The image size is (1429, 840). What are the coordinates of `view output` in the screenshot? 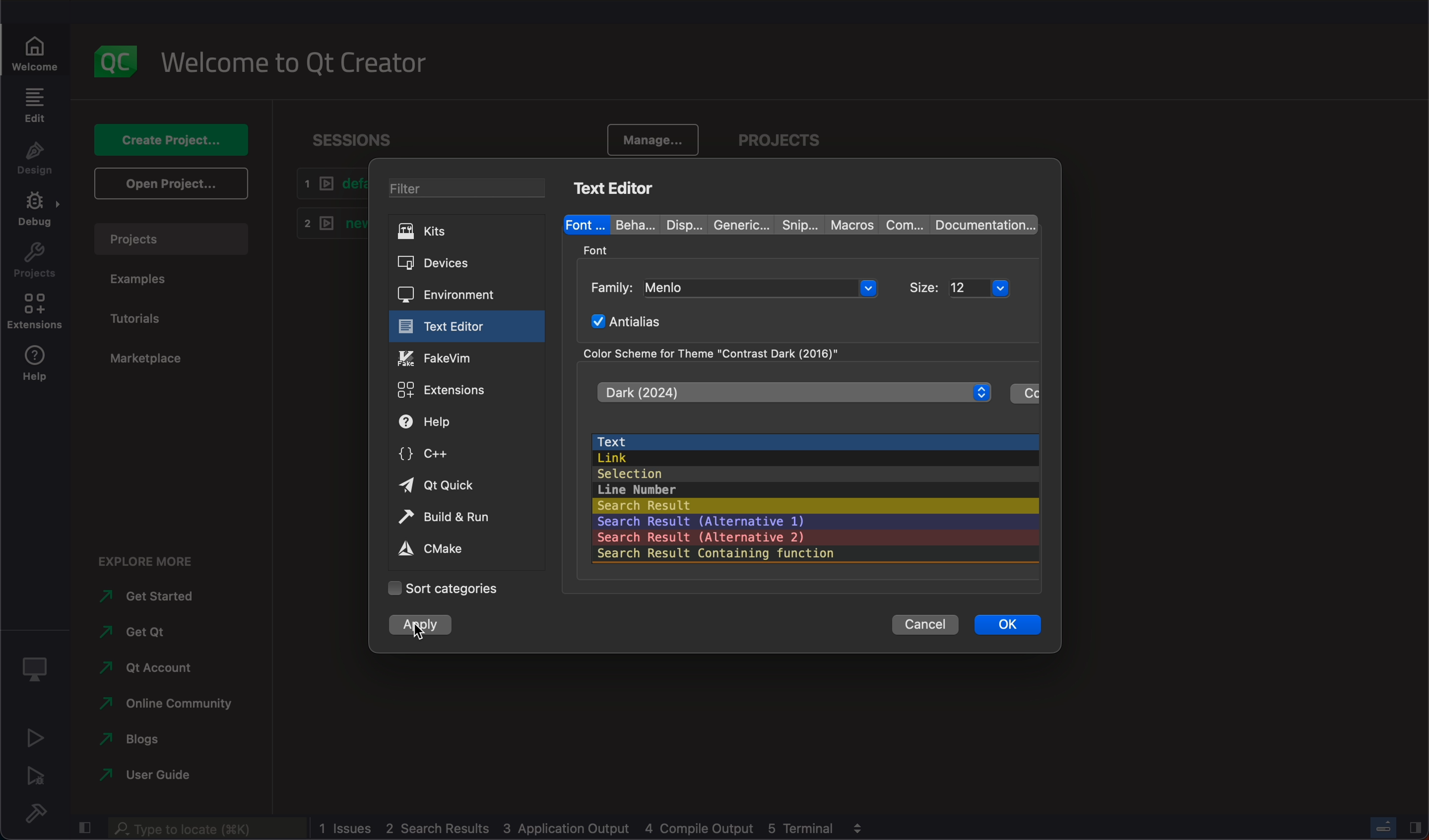 It's located at (861, 826).